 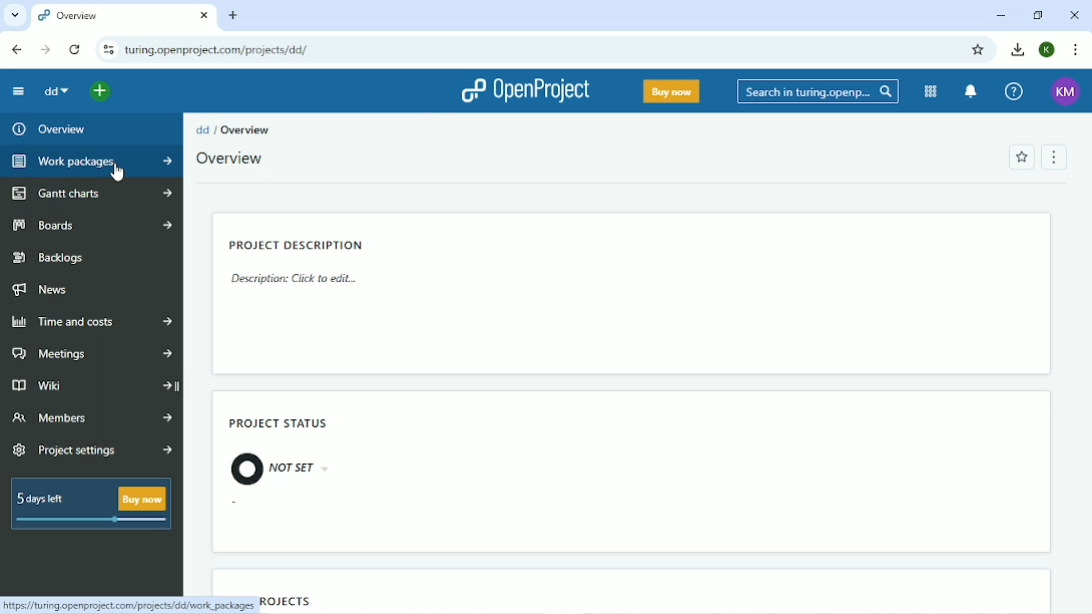 I want to click on Overview, so click(x=229, y=158).